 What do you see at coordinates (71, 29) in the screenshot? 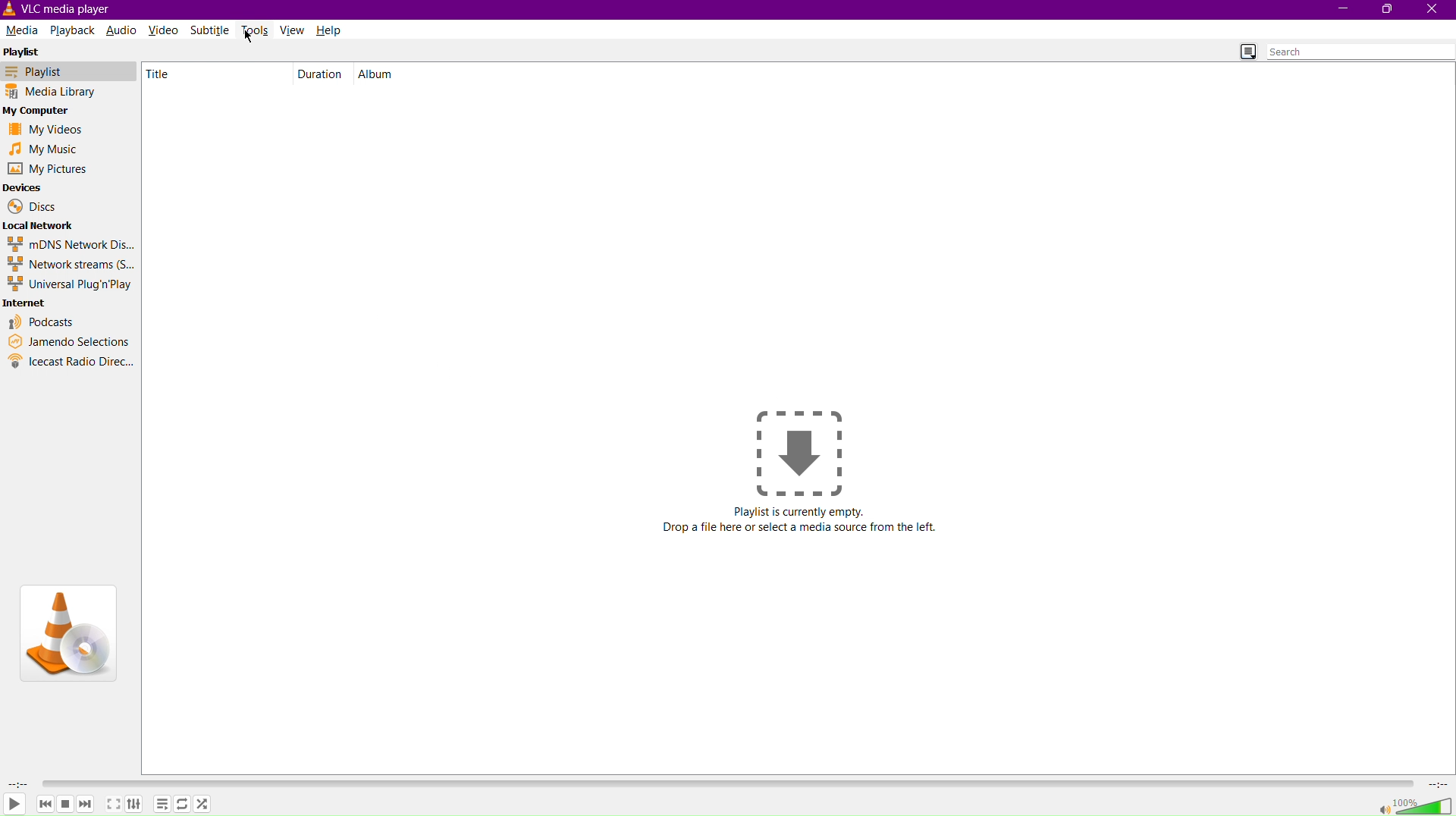
I see `Playback` at bounding box center [71, 29].